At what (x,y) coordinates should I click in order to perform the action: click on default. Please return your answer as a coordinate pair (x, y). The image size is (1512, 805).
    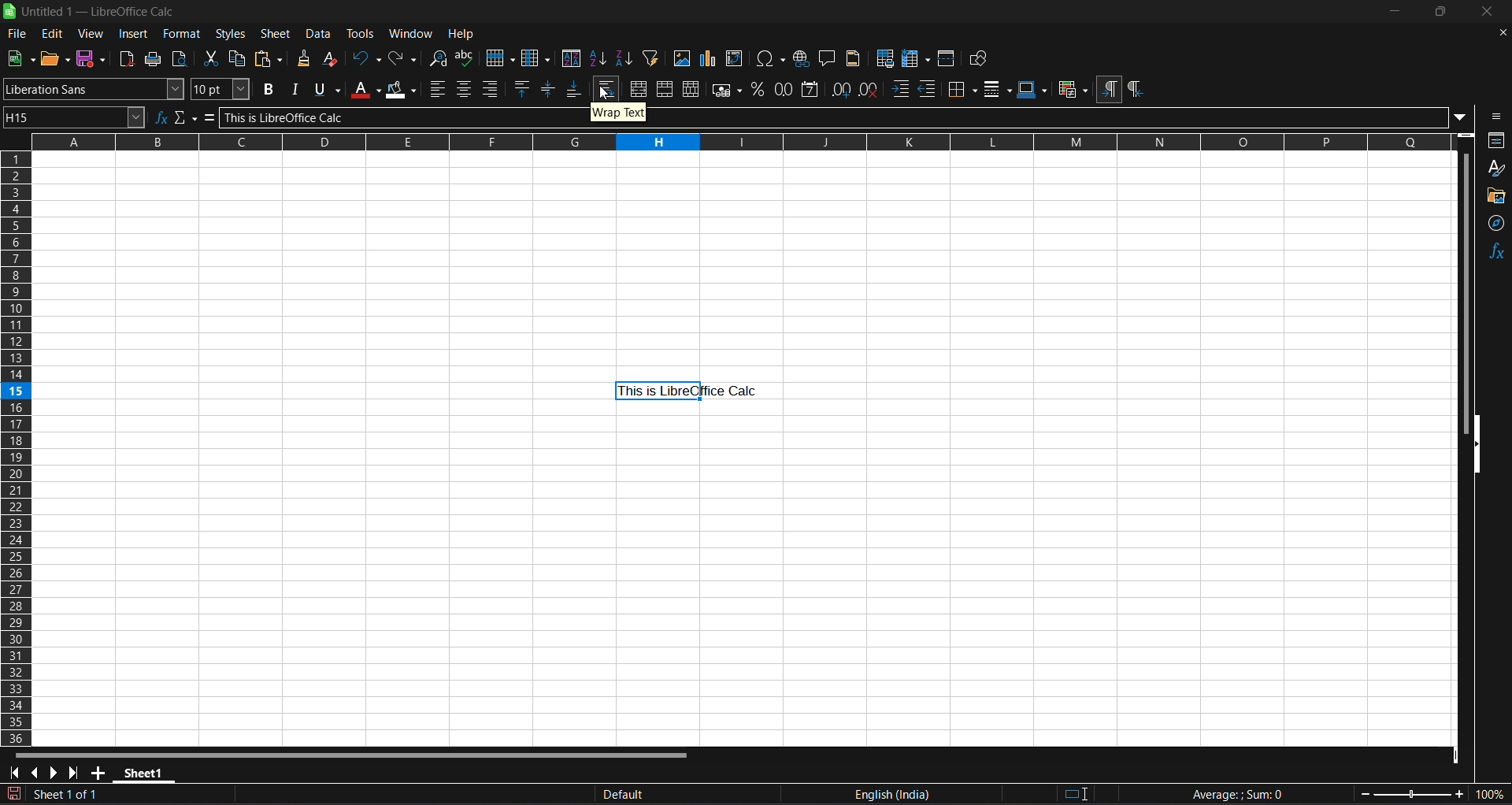
    Looking at the image, I should click on (662, 796).